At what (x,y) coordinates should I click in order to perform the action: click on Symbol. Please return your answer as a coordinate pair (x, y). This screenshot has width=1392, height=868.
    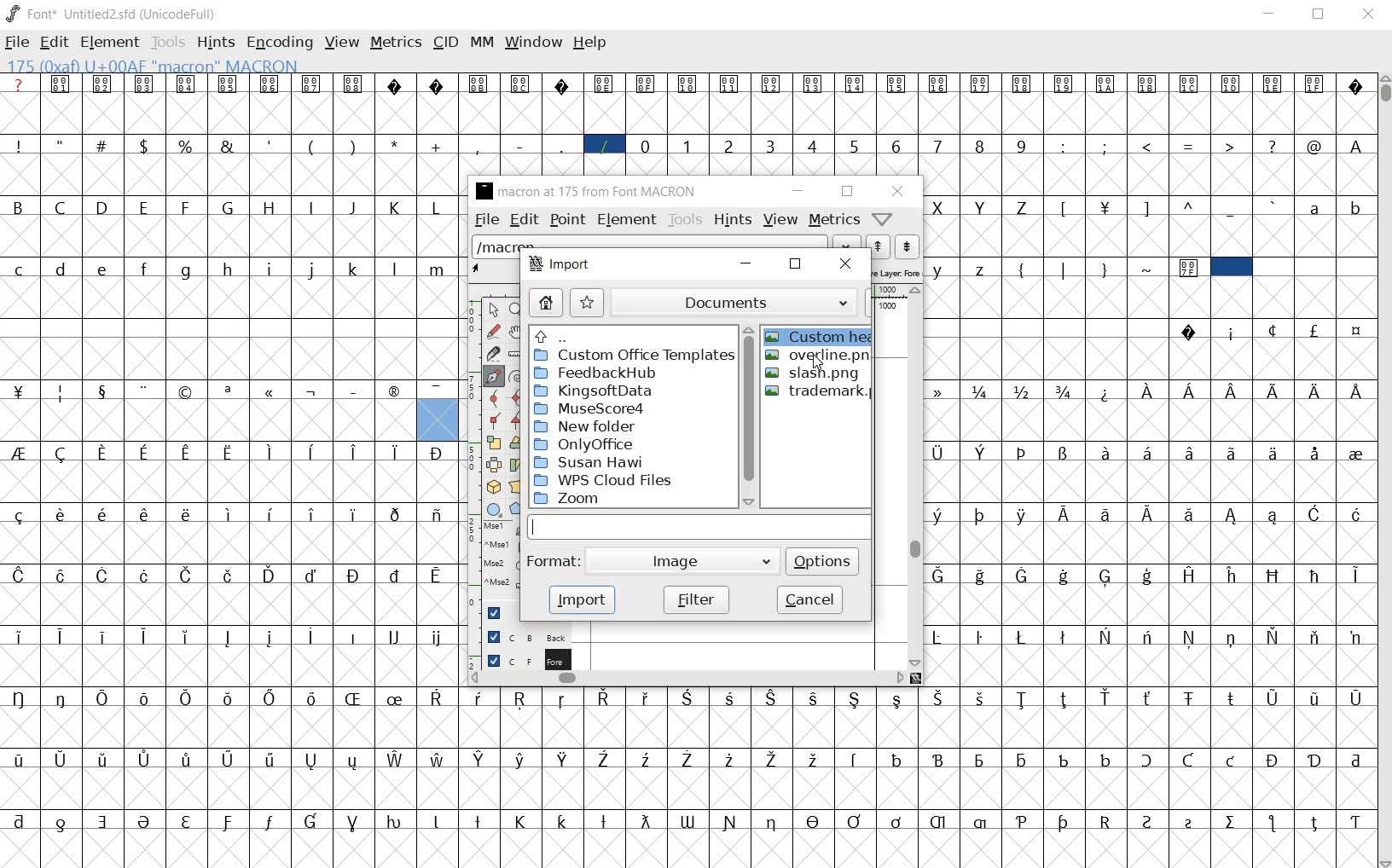
    Looking at the image, I should click on (1023, 818).